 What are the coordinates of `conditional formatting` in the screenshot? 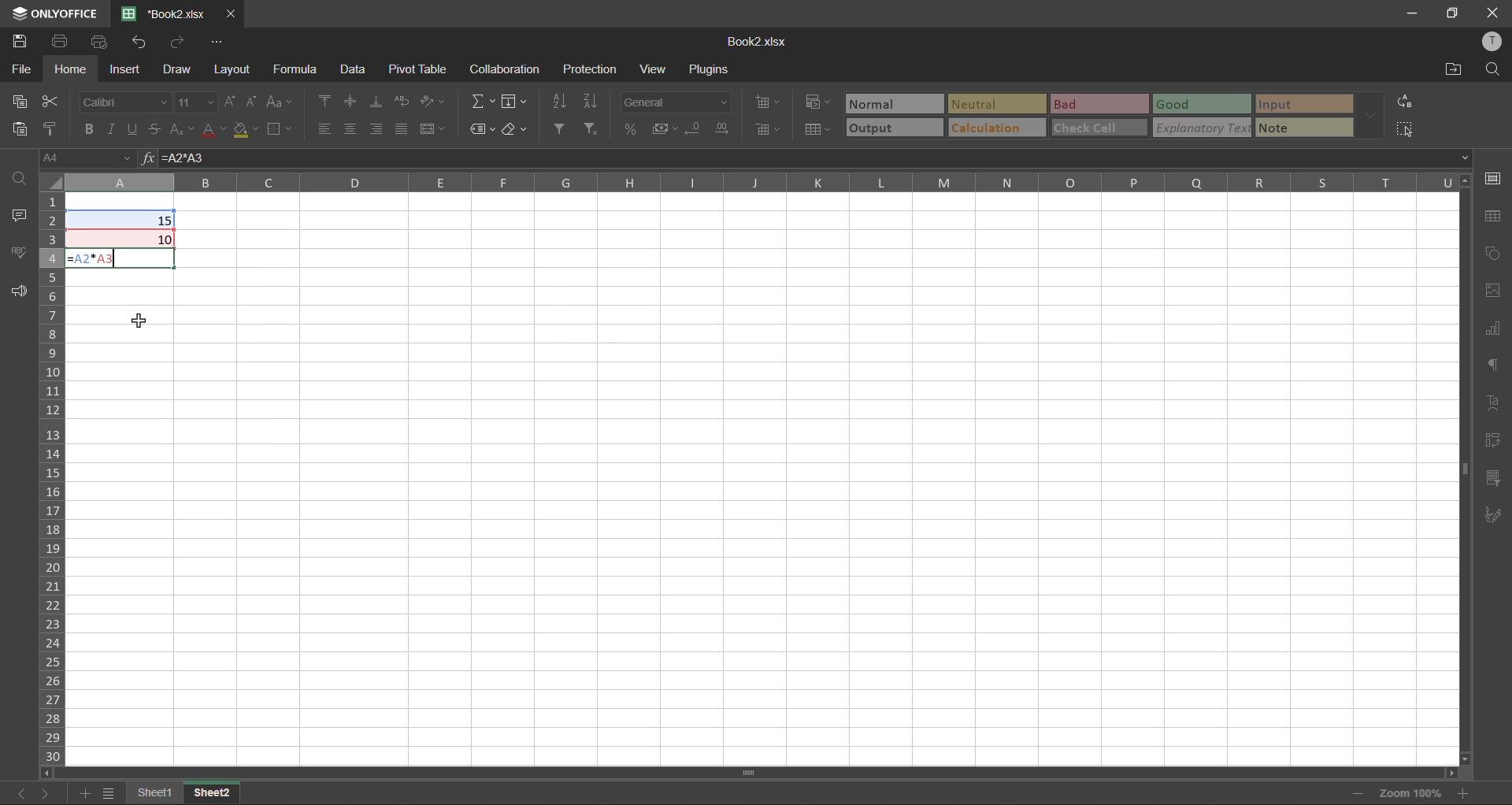 It's located at (818, 102).